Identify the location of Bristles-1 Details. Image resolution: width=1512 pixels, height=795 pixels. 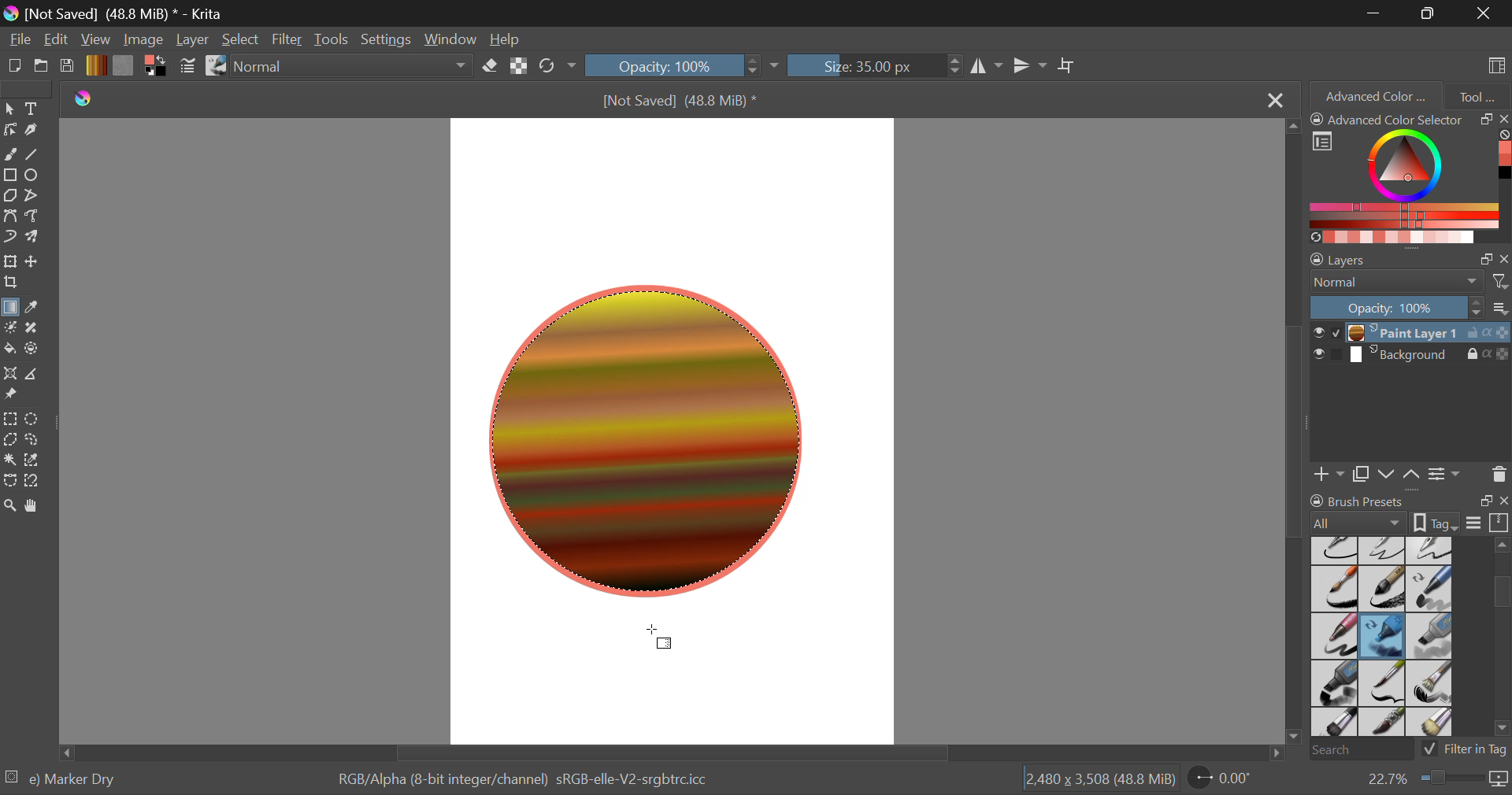
(1383, 682).